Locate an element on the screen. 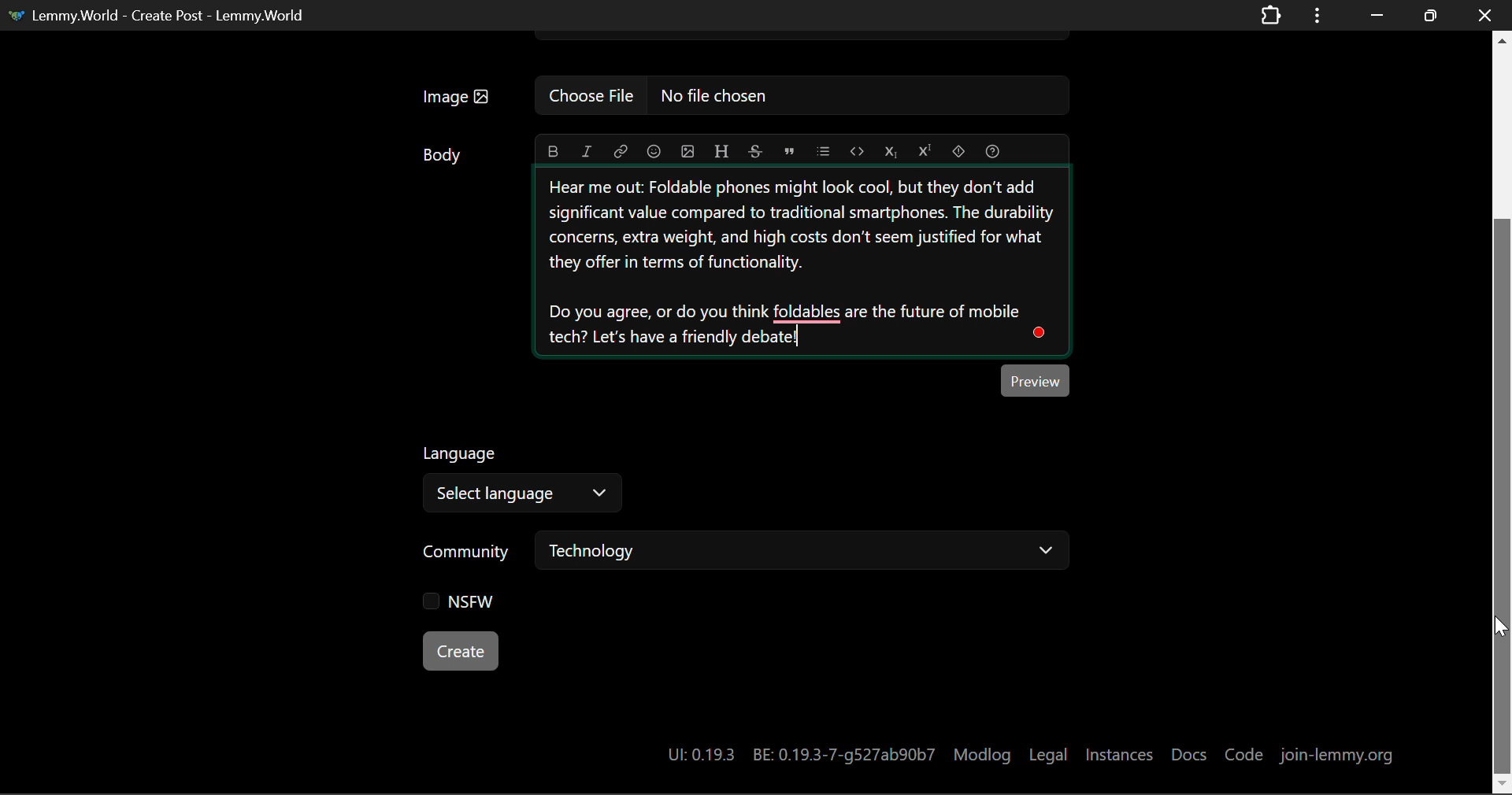 The width and height of the screenshot is (1512, 795). Code is located at coordinates (1243, 750).